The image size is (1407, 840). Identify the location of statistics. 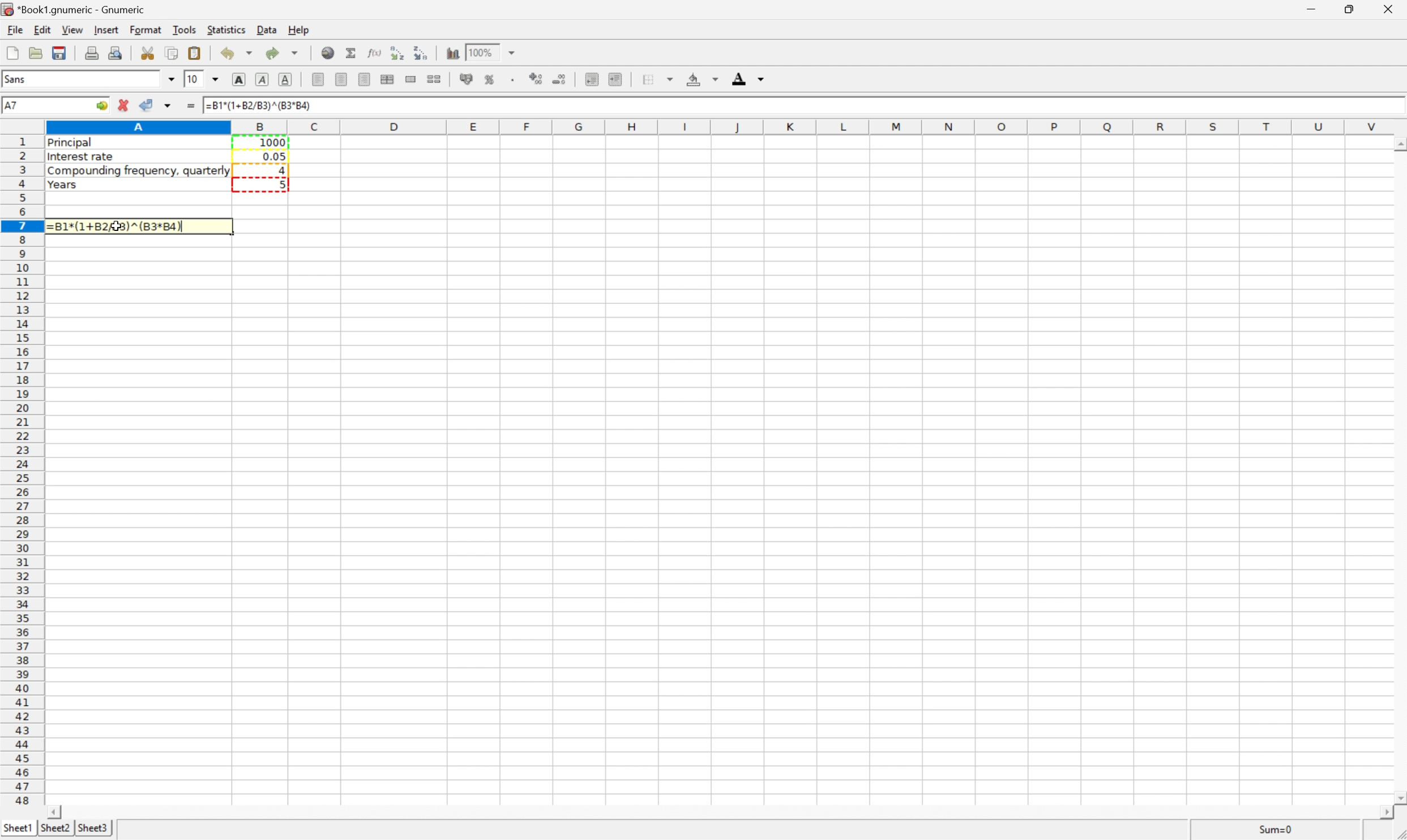
(227, 29).